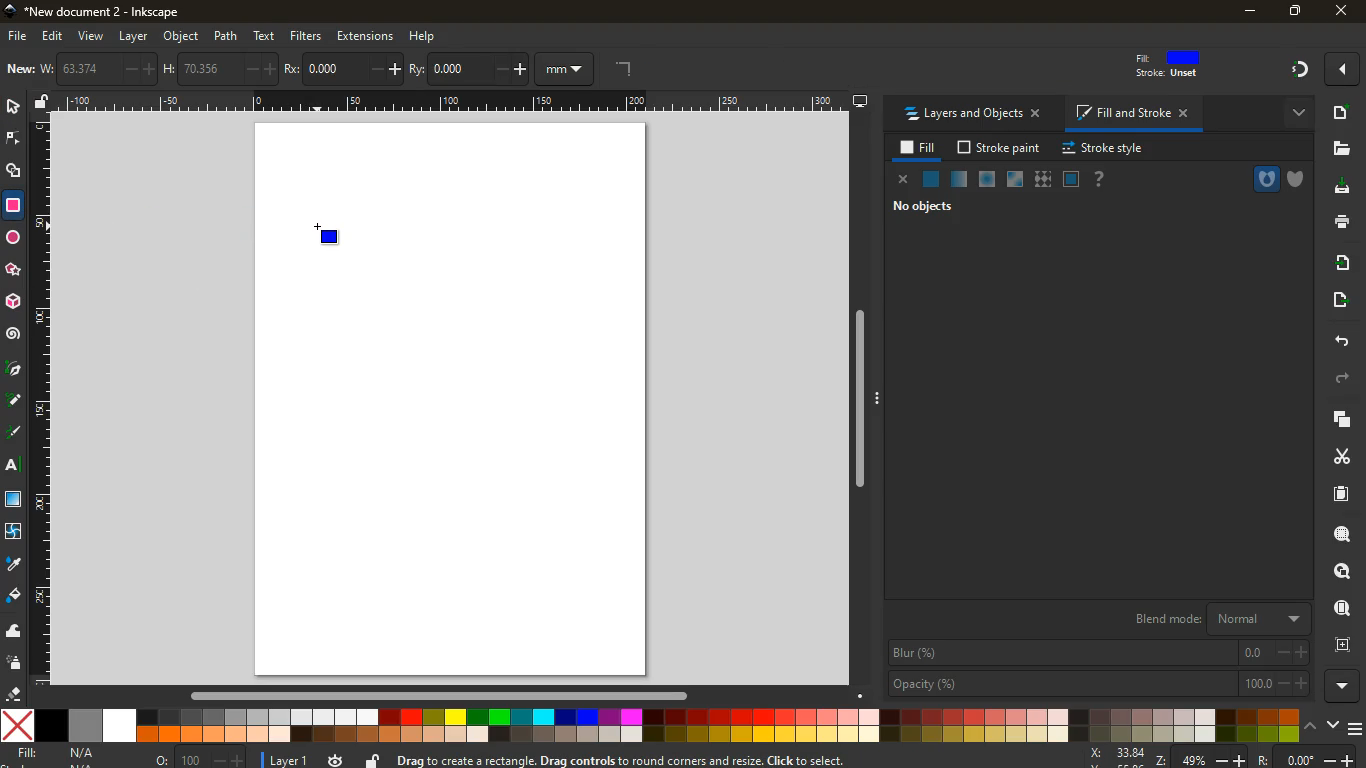 Image resolution: width=1366 pixels, height=768 pixels. Describe the element at coordinates (13, 269) in the screenshot. I see `` at that location.